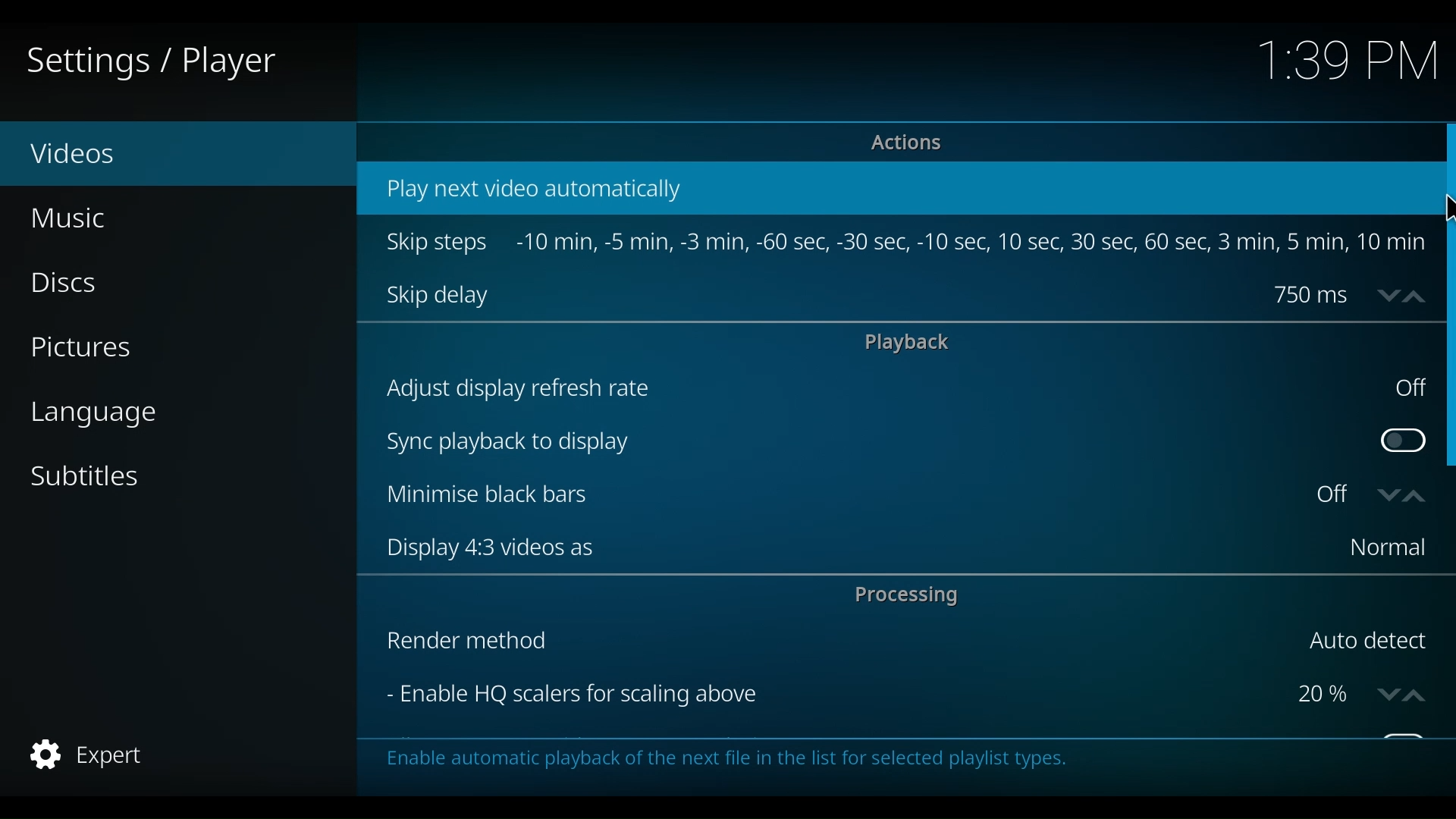 The height and width of the screenshot is (819, 1456). I want to click on Videos, so click(106, 155).